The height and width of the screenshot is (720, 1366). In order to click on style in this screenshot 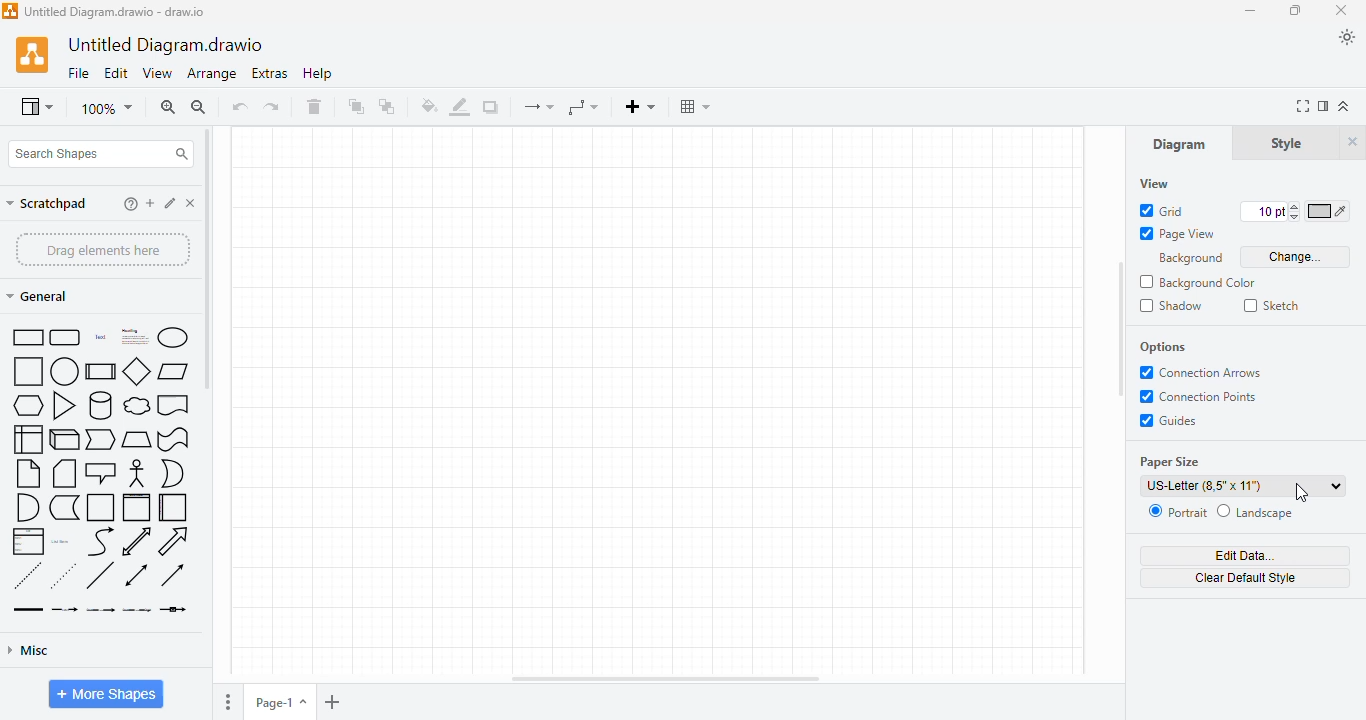, I will do `click(1286, 144)`.